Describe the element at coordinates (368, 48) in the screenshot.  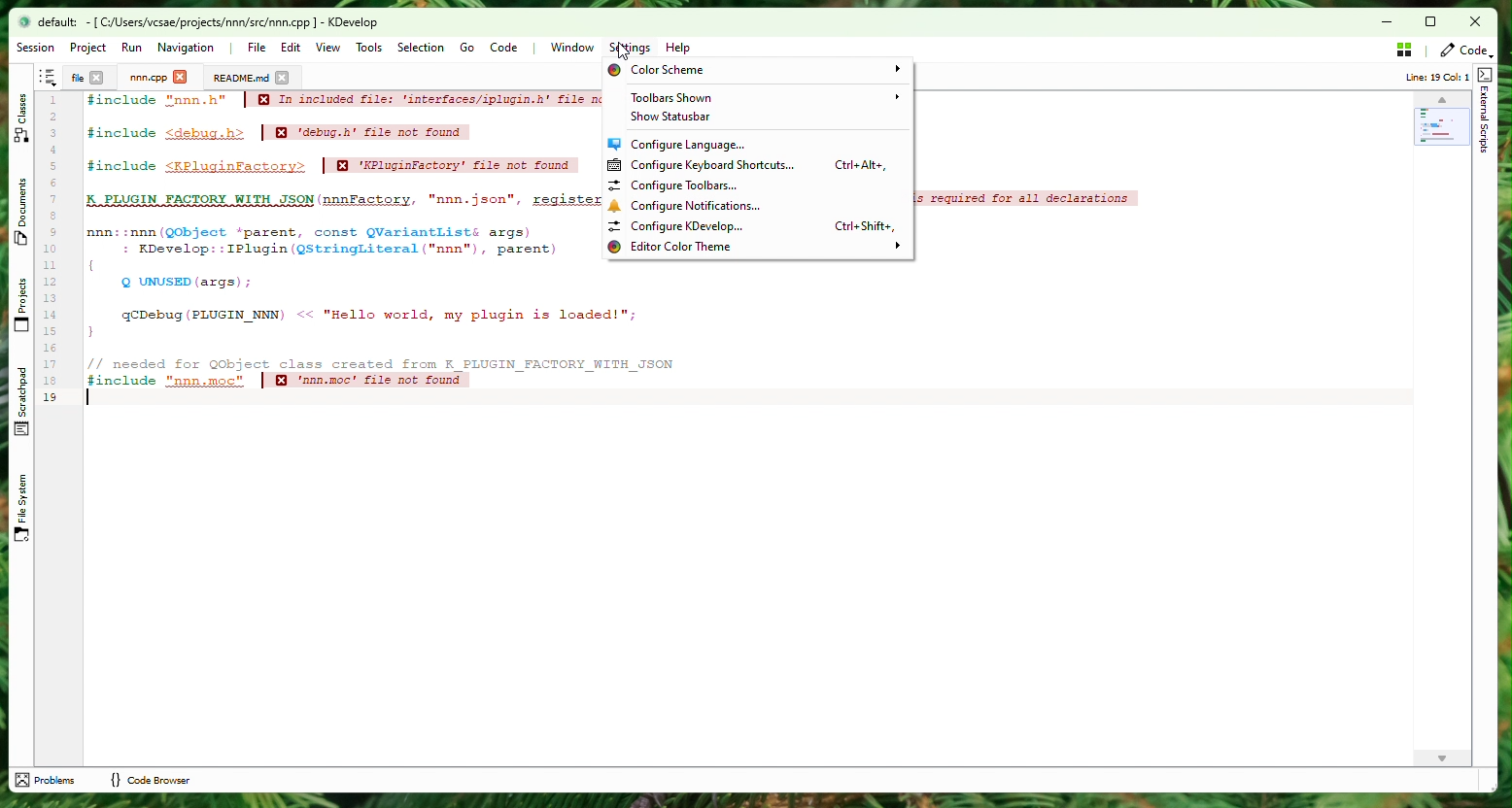
I see `Tools` at that location.